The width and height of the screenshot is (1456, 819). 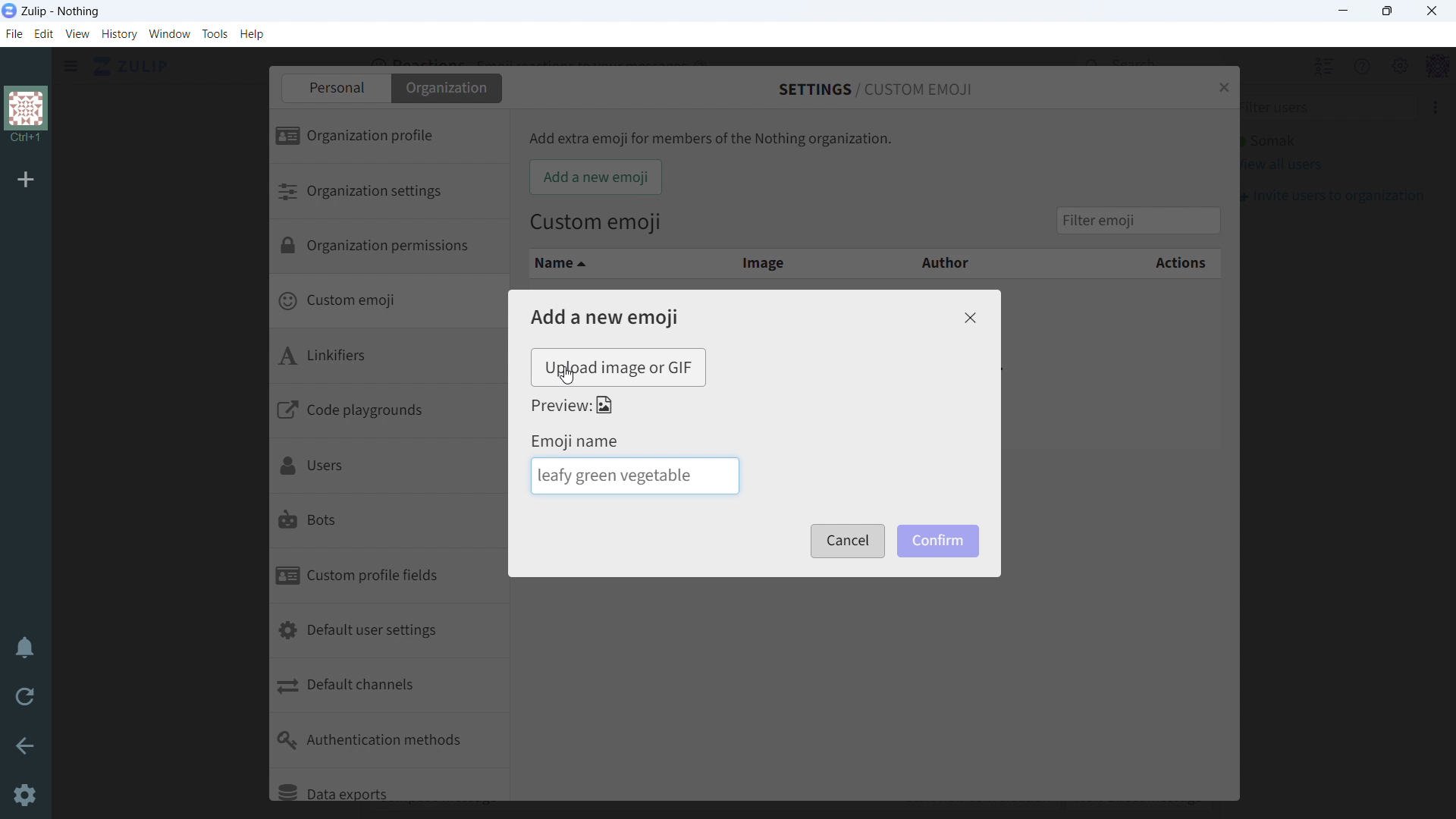 I want to click on authentication methods, so click(x=389, y=741).